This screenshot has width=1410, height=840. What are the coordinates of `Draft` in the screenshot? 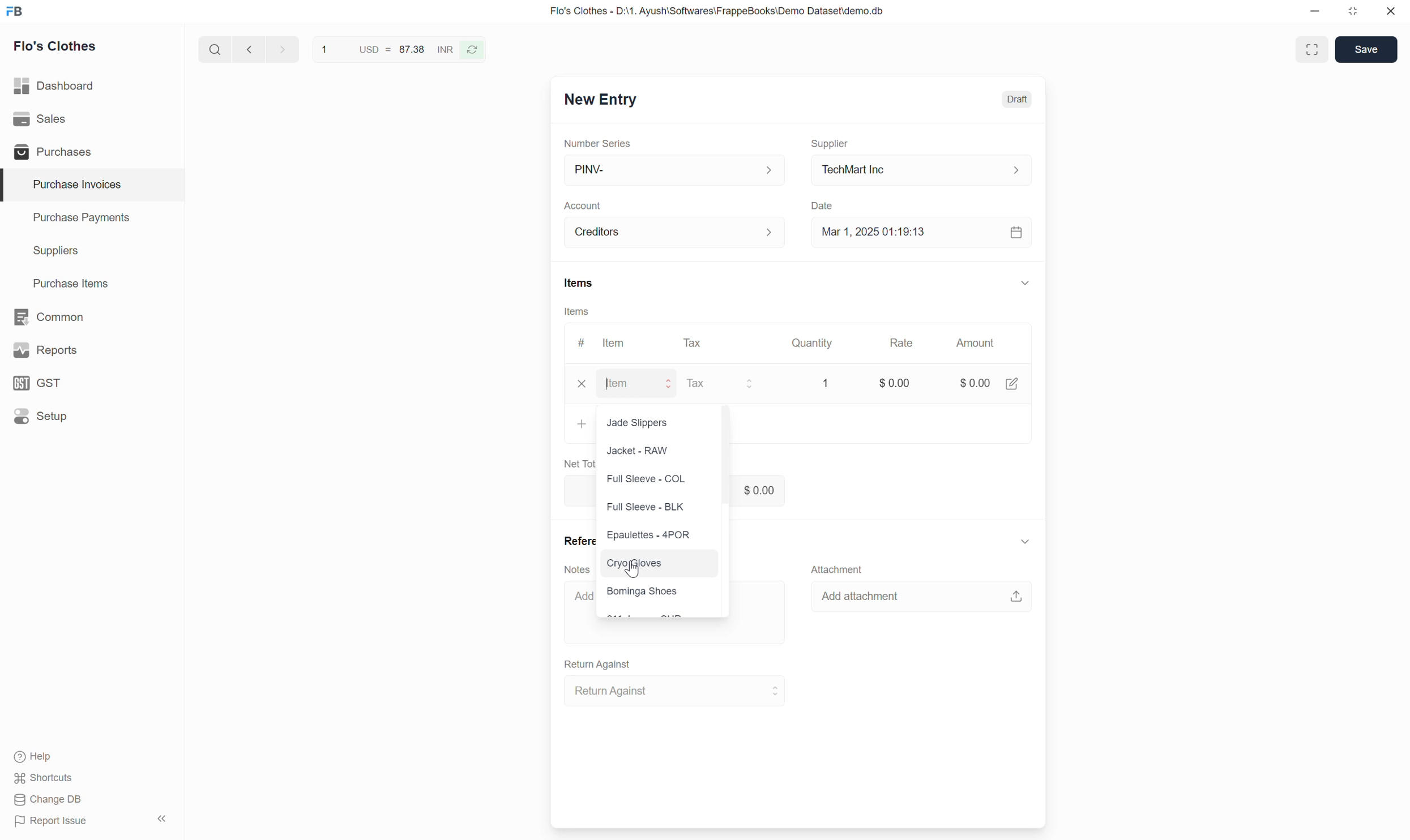 It's located at (1018, 100).